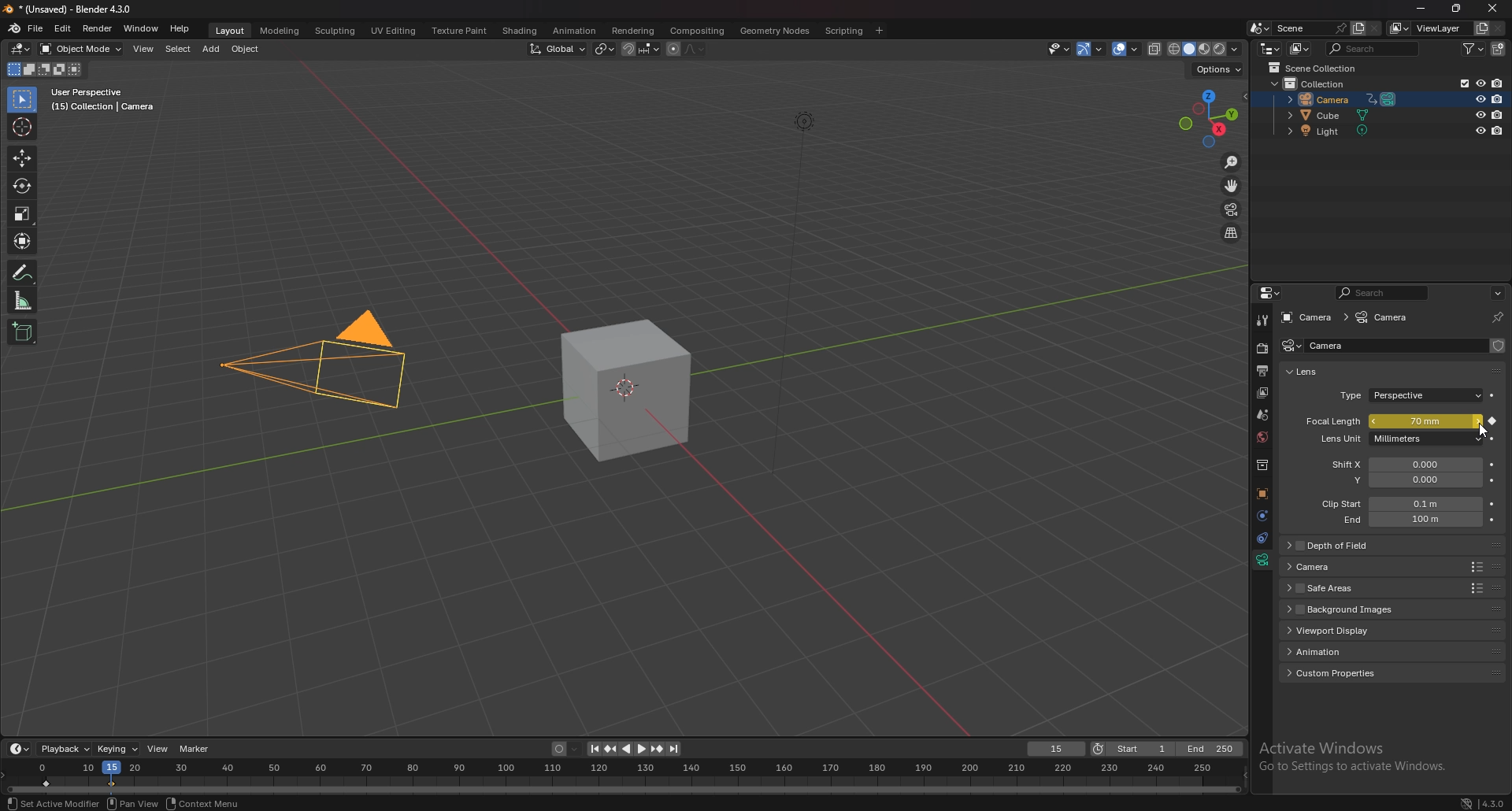 This screenshot has height=811, width=1512. Describe the element at coordinates (1357, 29) in the screenshot. I see `add scene` at that location.